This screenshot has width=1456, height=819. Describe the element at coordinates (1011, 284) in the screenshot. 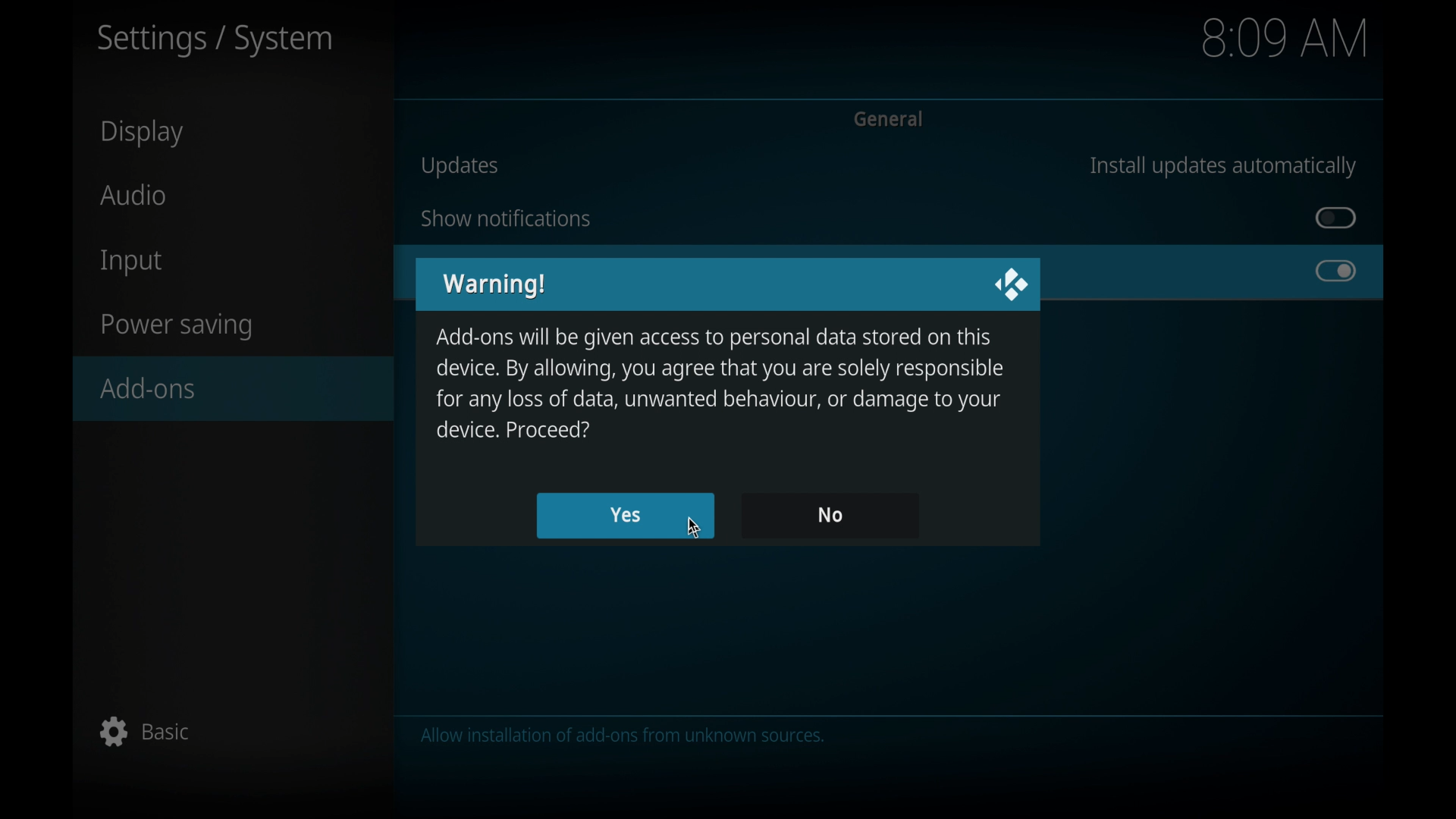

I see `close` at that location.